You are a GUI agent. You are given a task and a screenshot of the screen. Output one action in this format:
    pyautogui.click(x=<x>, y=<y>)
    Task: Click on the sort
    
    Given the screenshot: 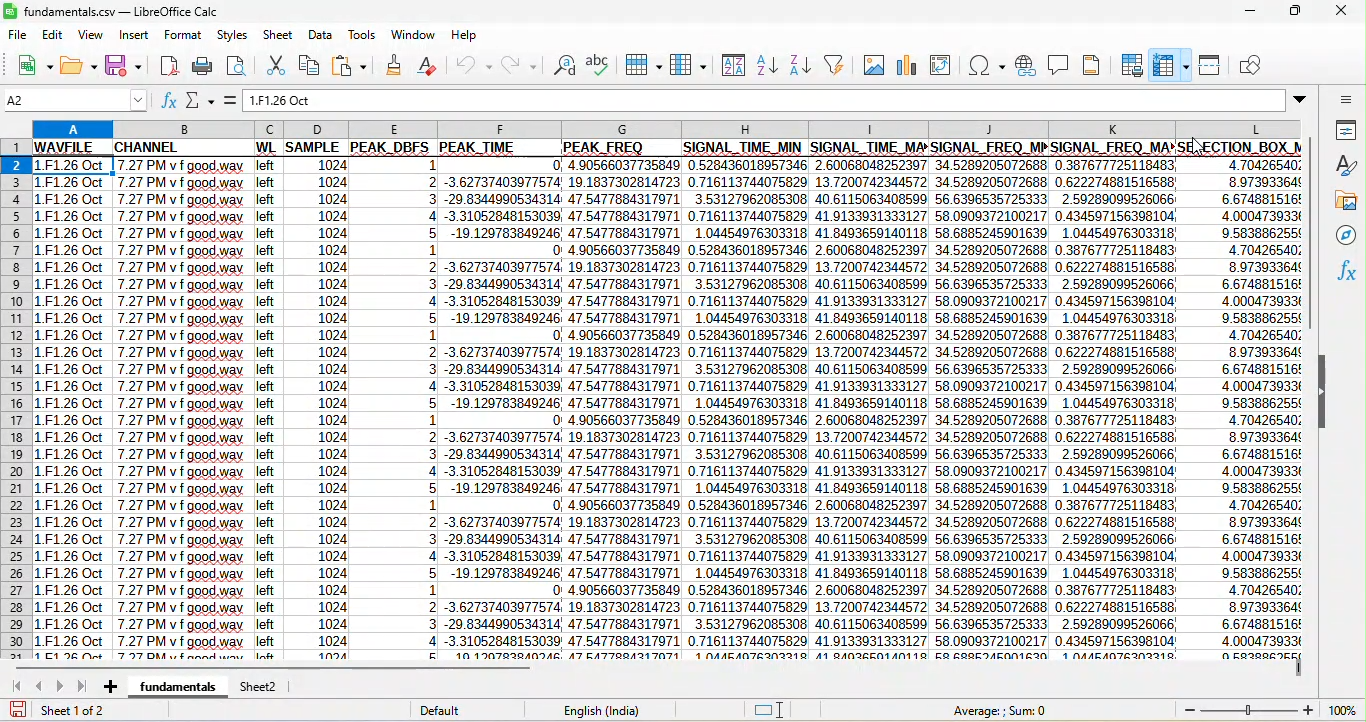 What is the action you would take?
    pyautogui.click(x=730, y=66)
    